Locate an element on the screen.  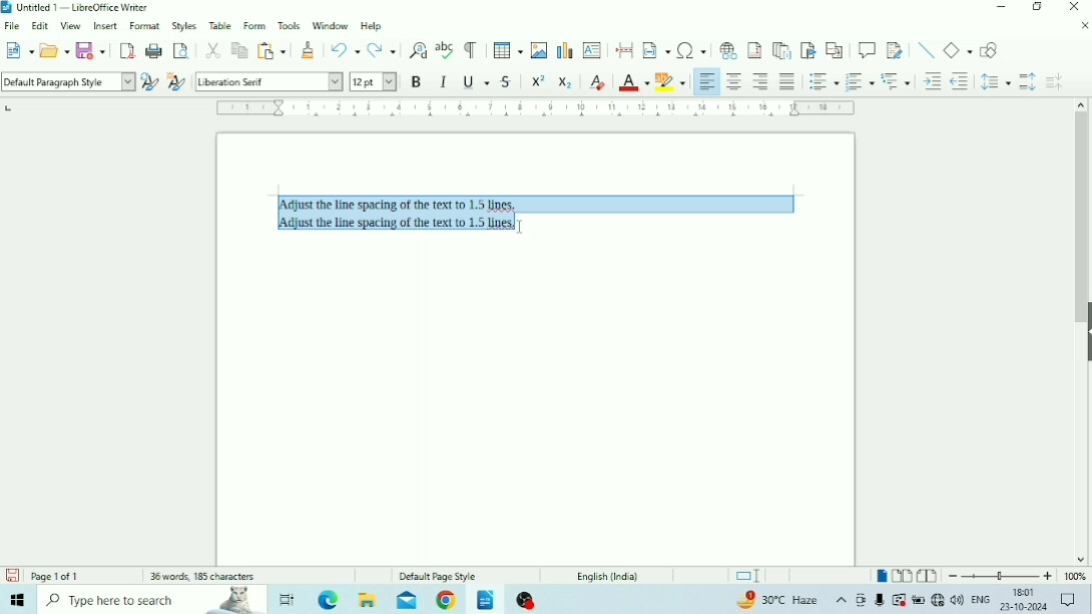
Insert Comment is located at coordinates (867, 50).